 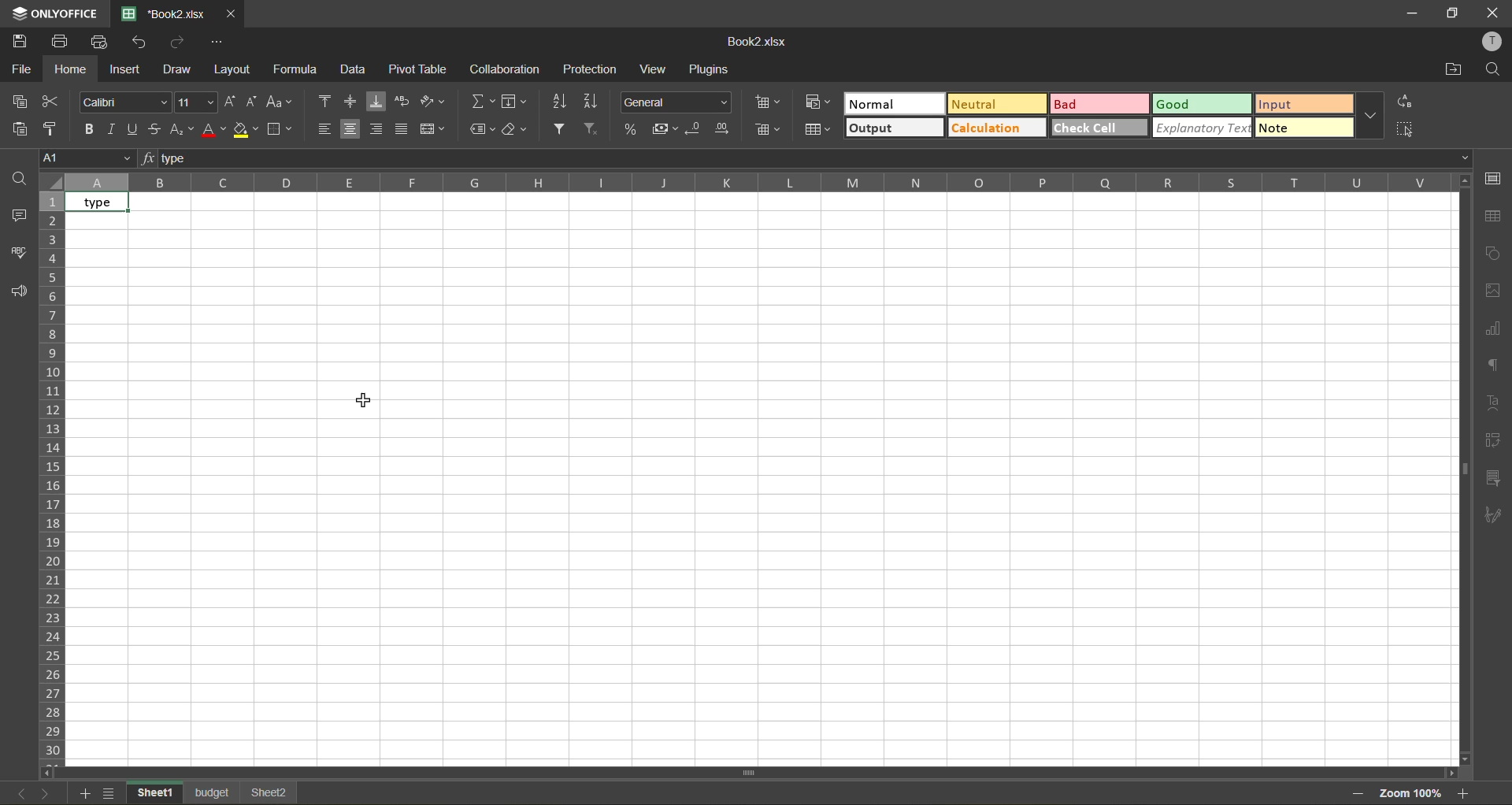 What do you see at coordinates (197, 102) in the screenshot?
I see `font size` at bounding box center [197, 102].